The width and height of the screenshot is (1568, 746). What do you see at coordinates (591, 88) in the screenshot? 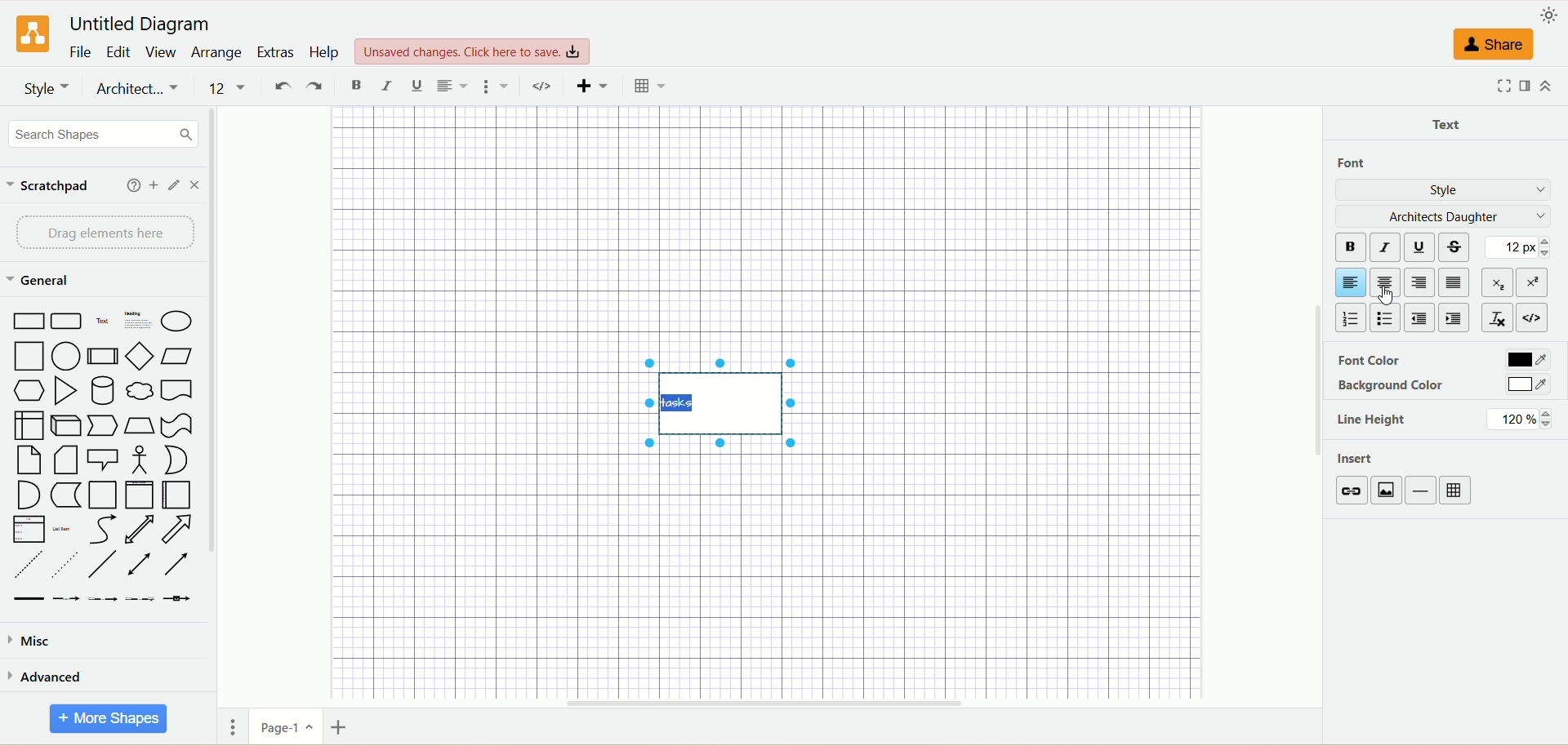
I see `Add` at bounding box center [591, 88].